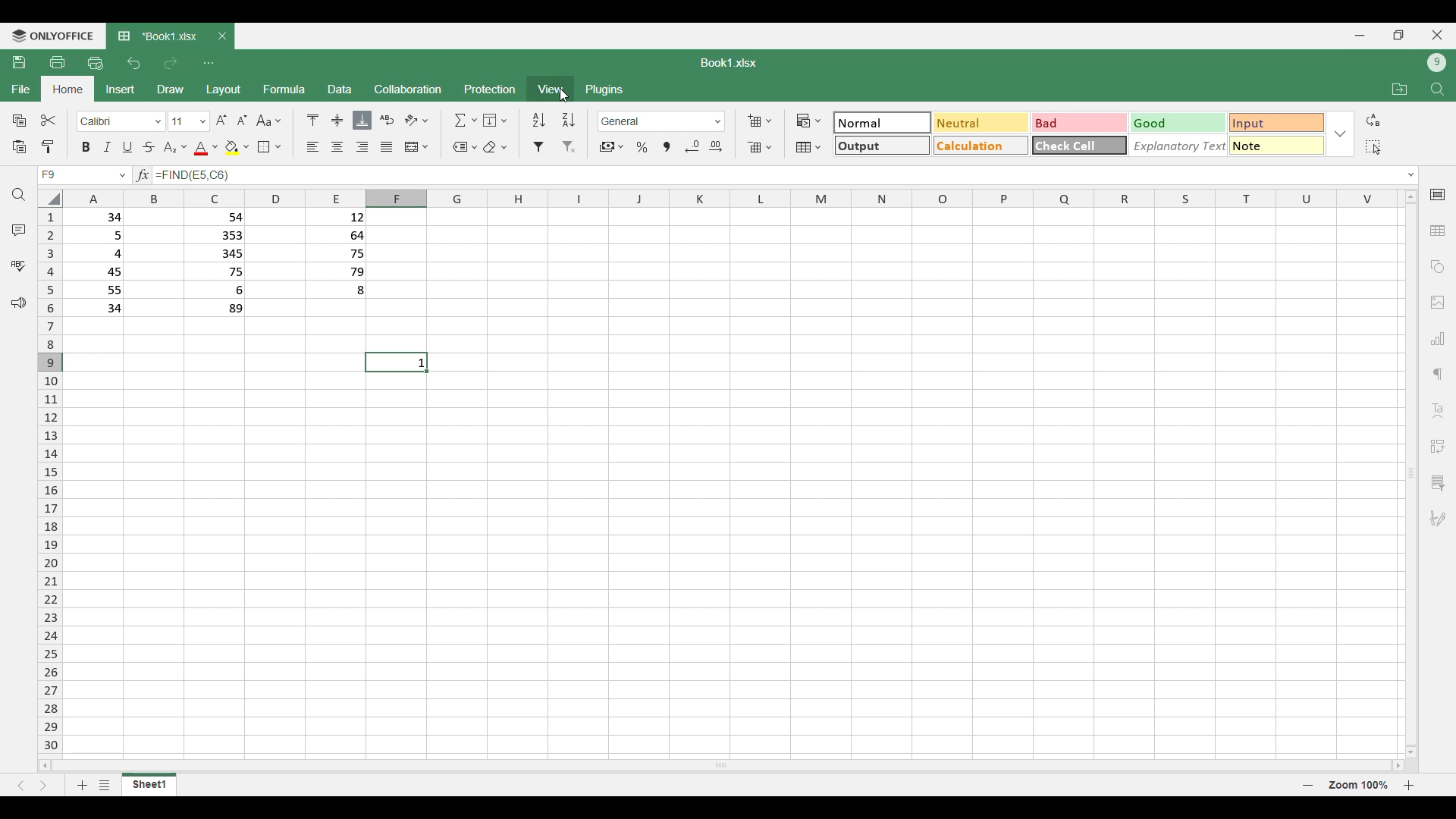 The height and width of the screenshot is (819, 1456). Describe the element at coordinates (20, 63) in the screenshot. I see `Save` at that location.